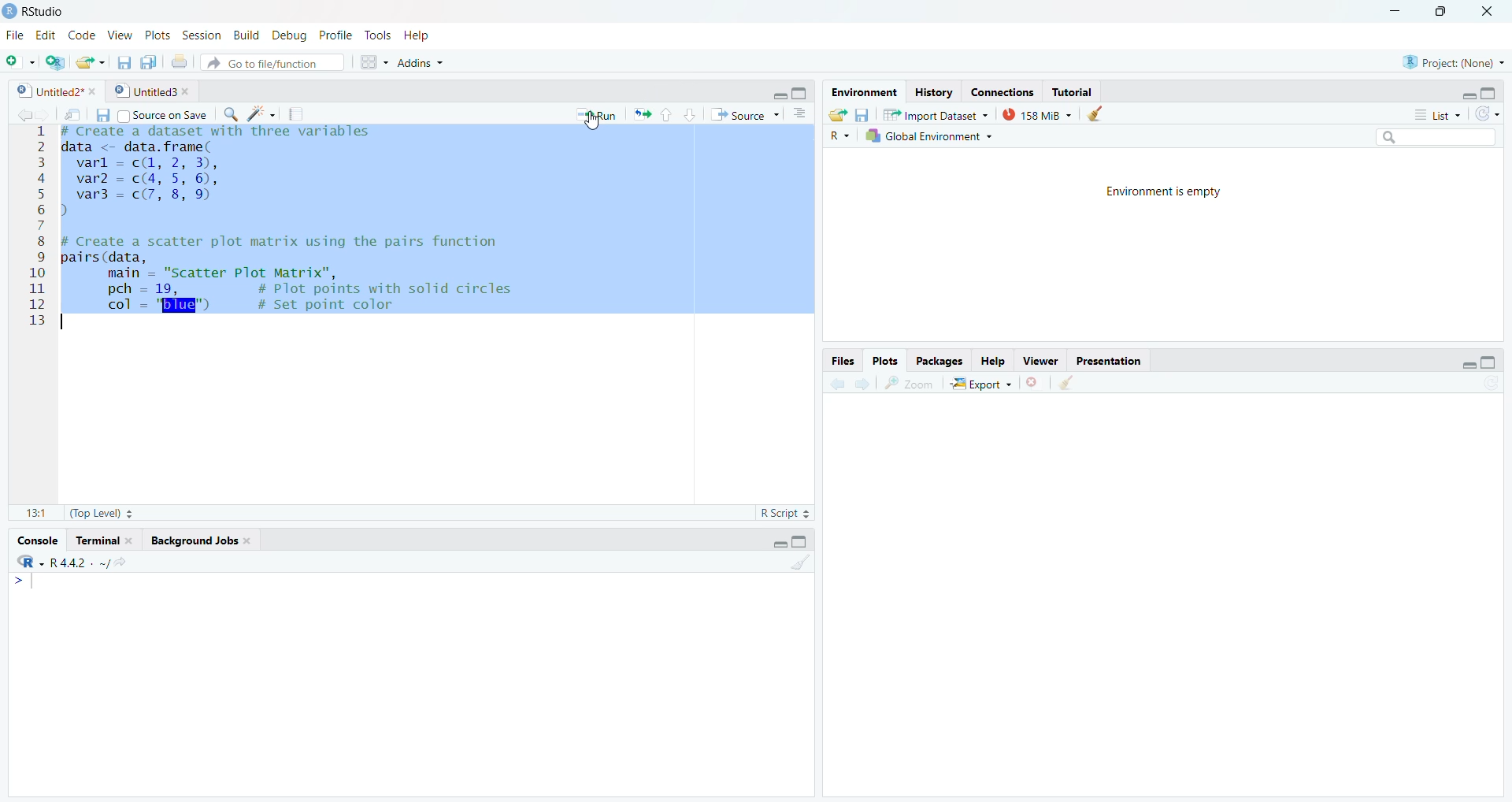 The width and height of the screenshot is (1512, 802). I want to click on Build, so click(245, 35).